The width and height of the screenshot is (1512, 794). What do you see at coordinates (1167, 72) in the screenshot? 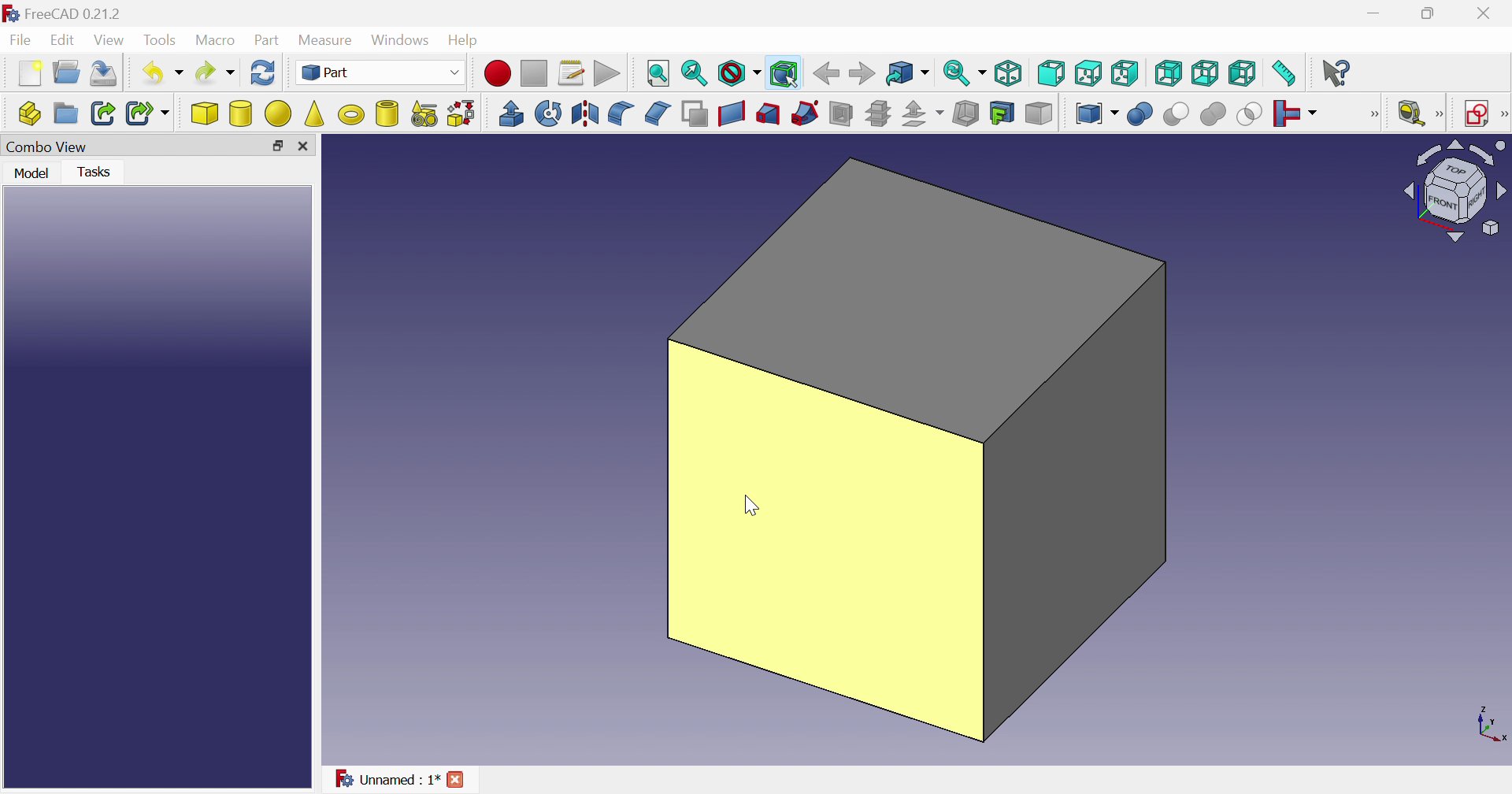
I see `Rear` at bounding box center [1167, 72].